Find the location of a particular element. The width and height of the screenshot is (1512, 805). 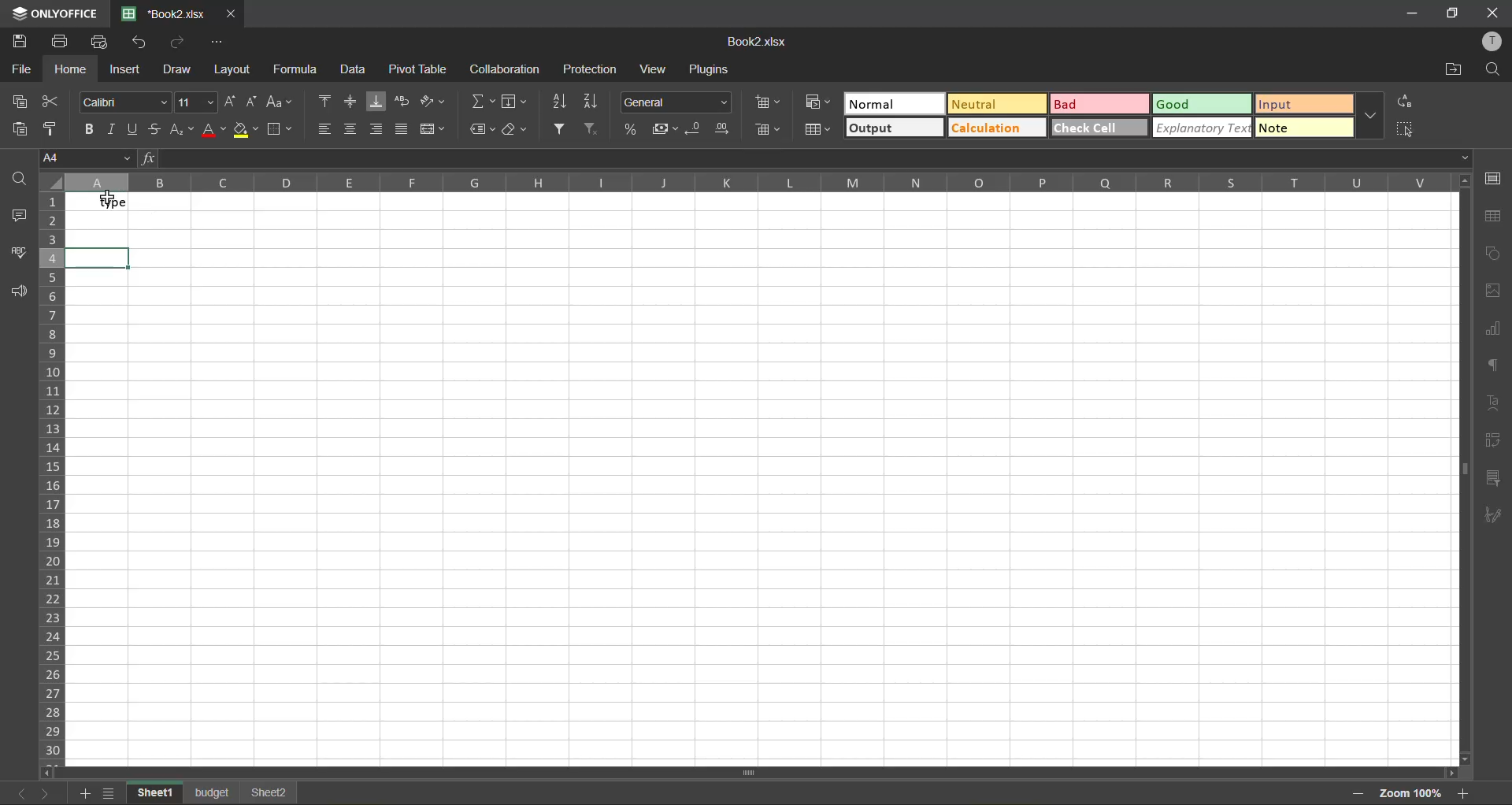

align right is located at coordinates (376, 127).